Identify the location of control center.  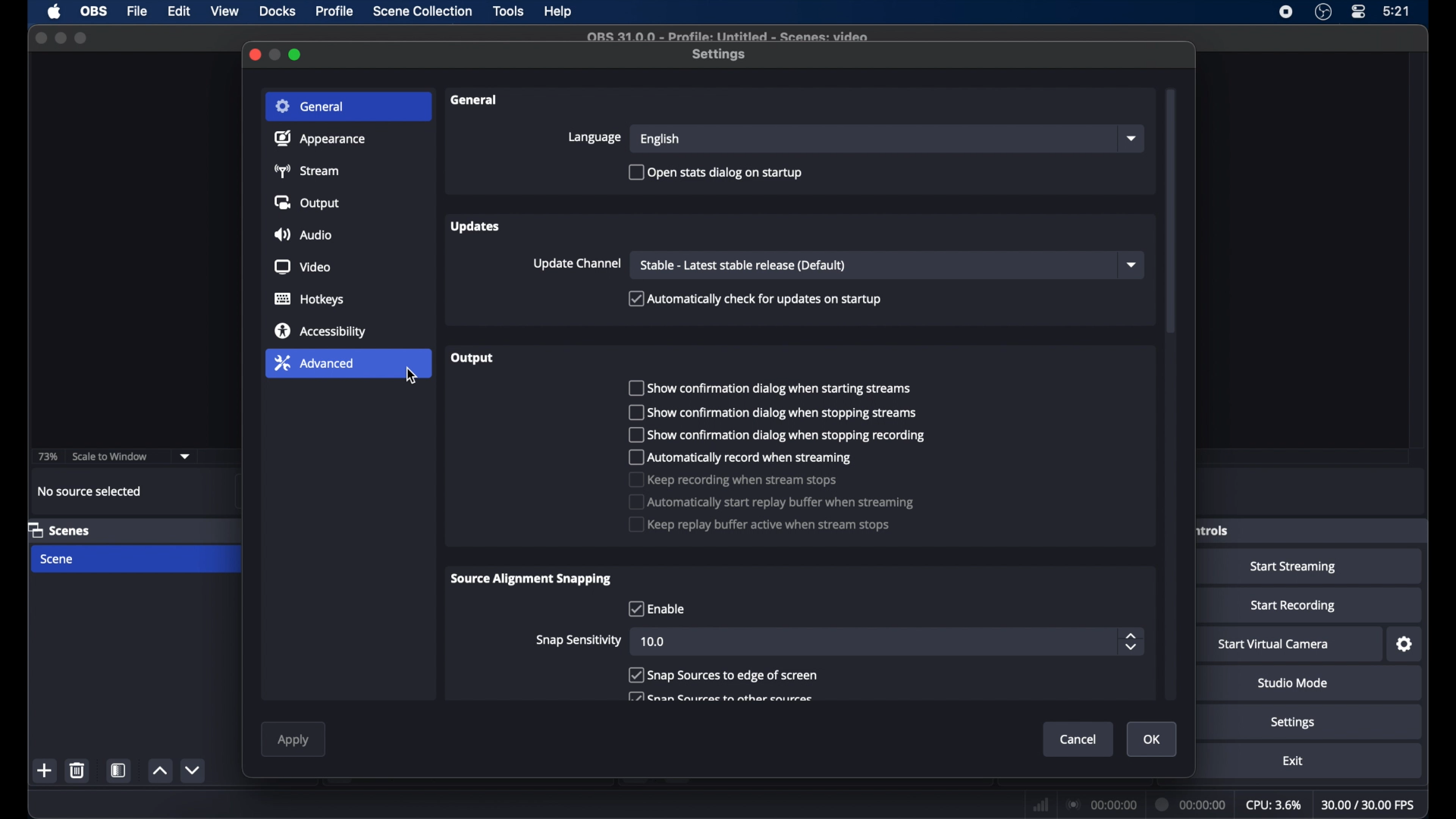
(1357, 12).